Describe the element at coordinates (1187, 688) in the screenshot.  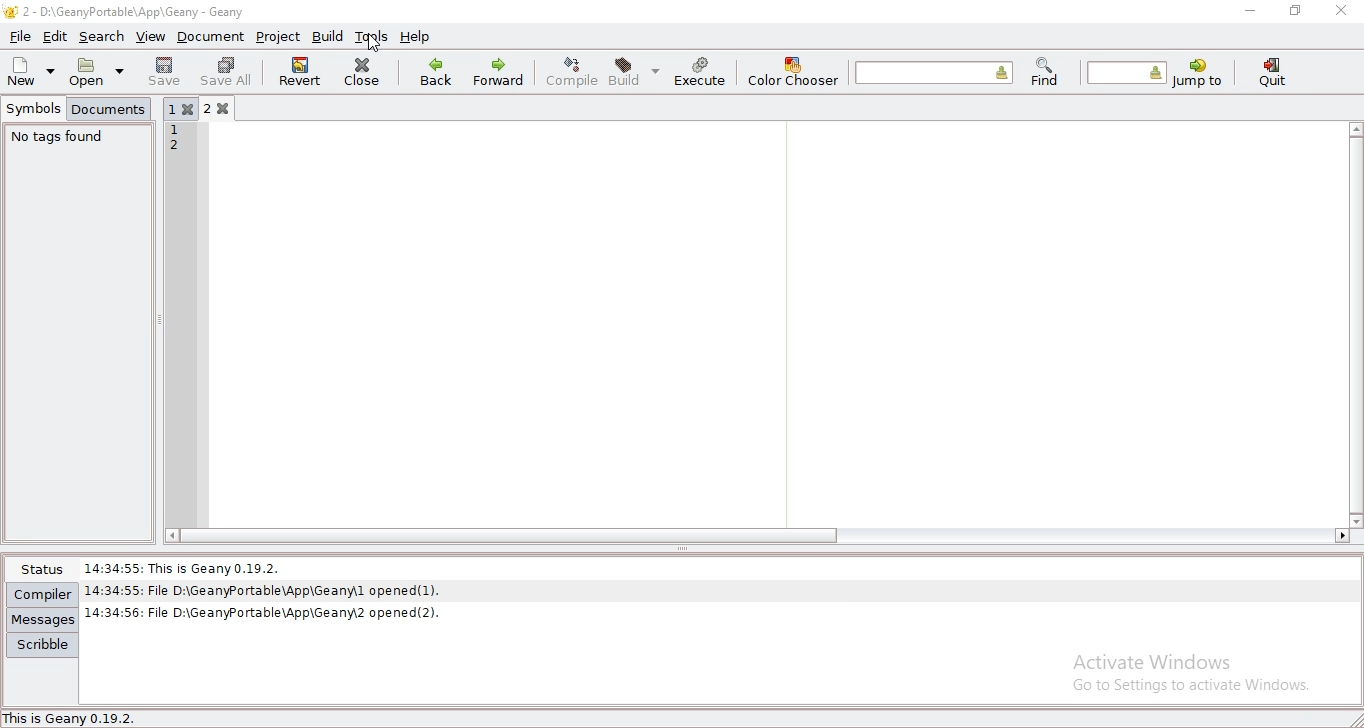
I see `go to settings to activate windows` at that location.